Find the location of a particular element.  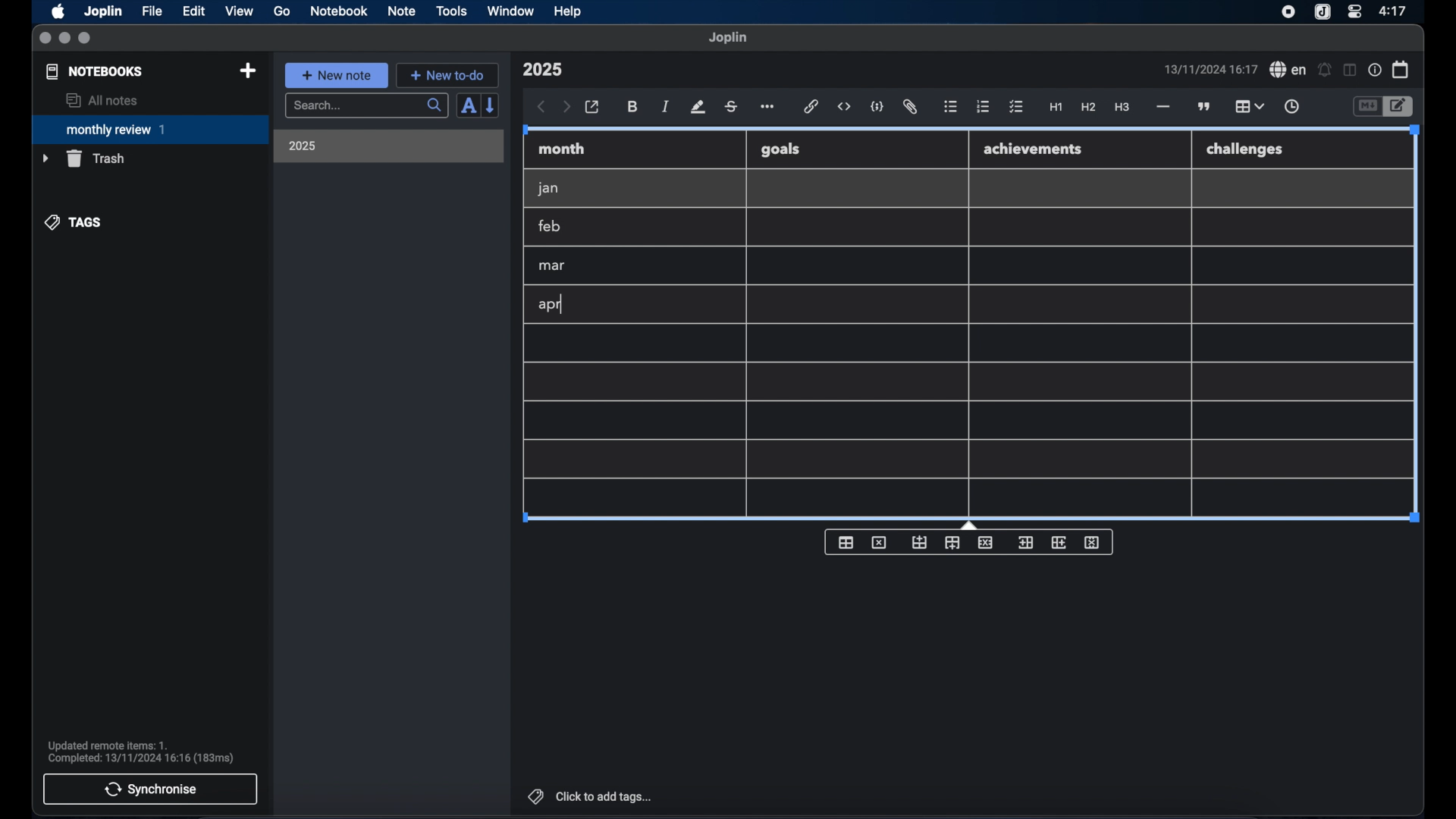

window is located at coordinates (511, 11).